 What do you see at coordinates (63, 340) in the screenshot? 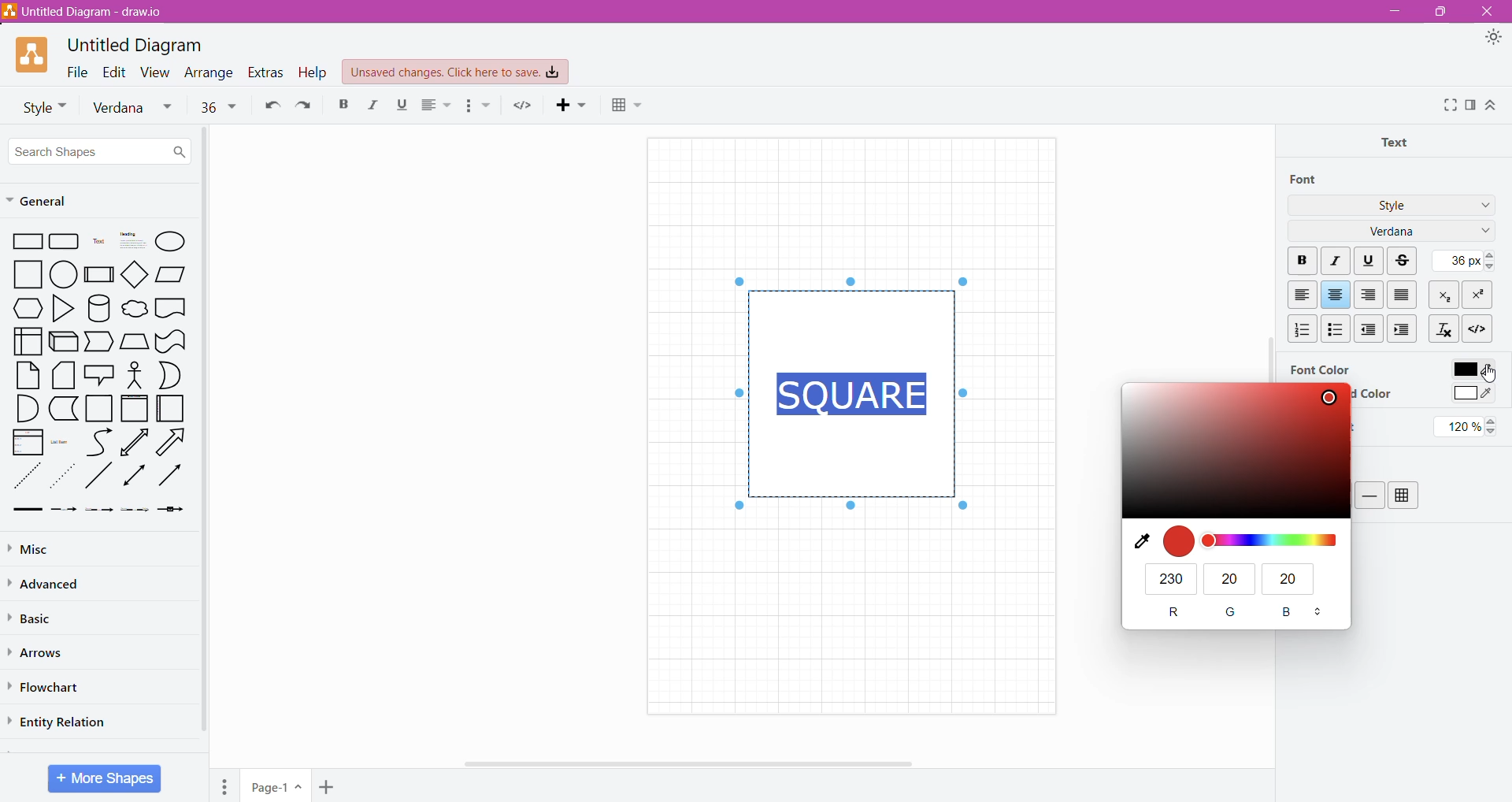
I see `3D Rectangle` at bounding box center [63, 340].